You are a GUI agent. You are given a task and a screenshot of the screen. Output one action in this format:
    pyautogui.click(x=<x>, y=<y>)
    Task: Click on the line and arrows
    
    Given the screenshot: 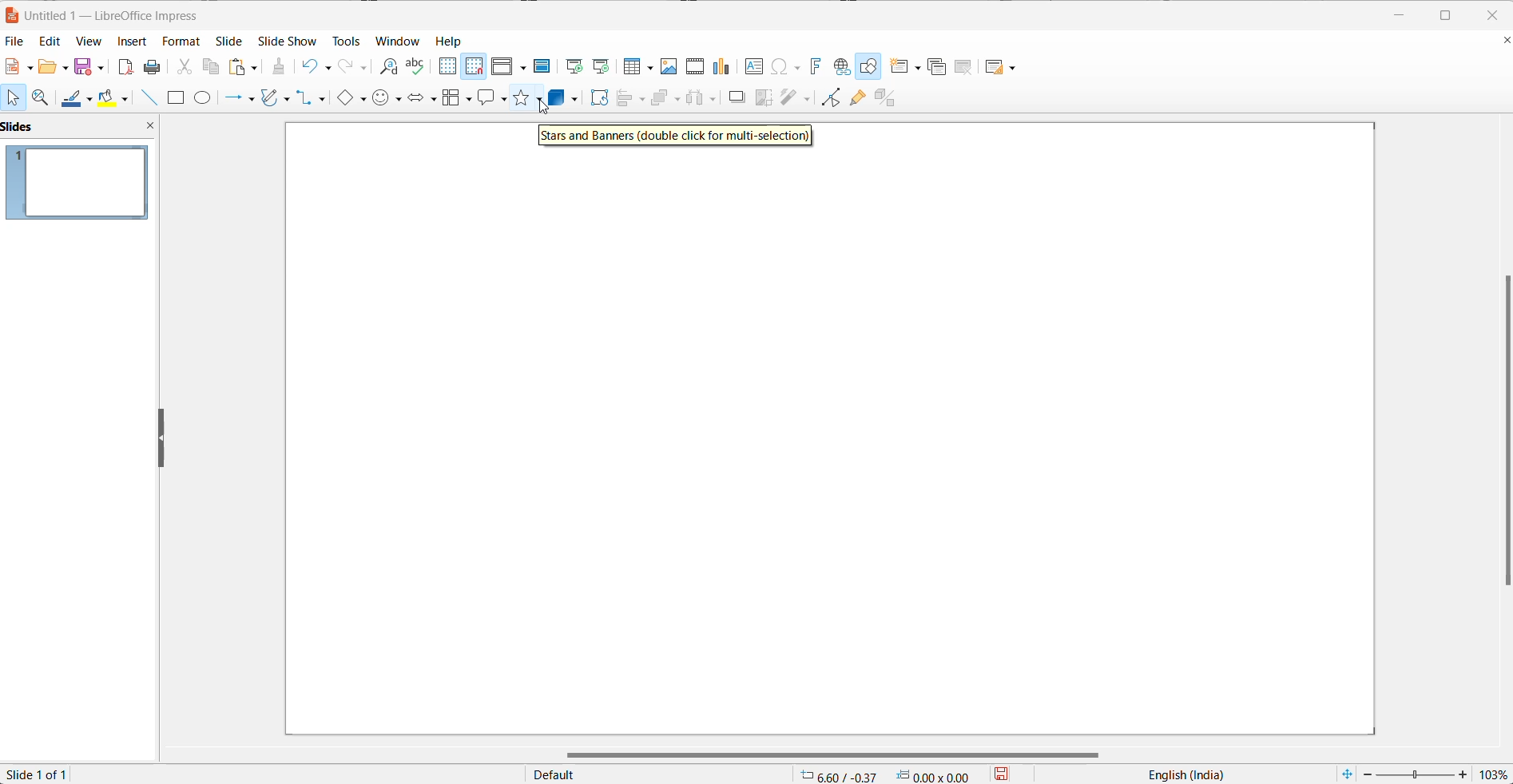 What is the action you would take?
    pyautogui.click(x=237, y=99)
    